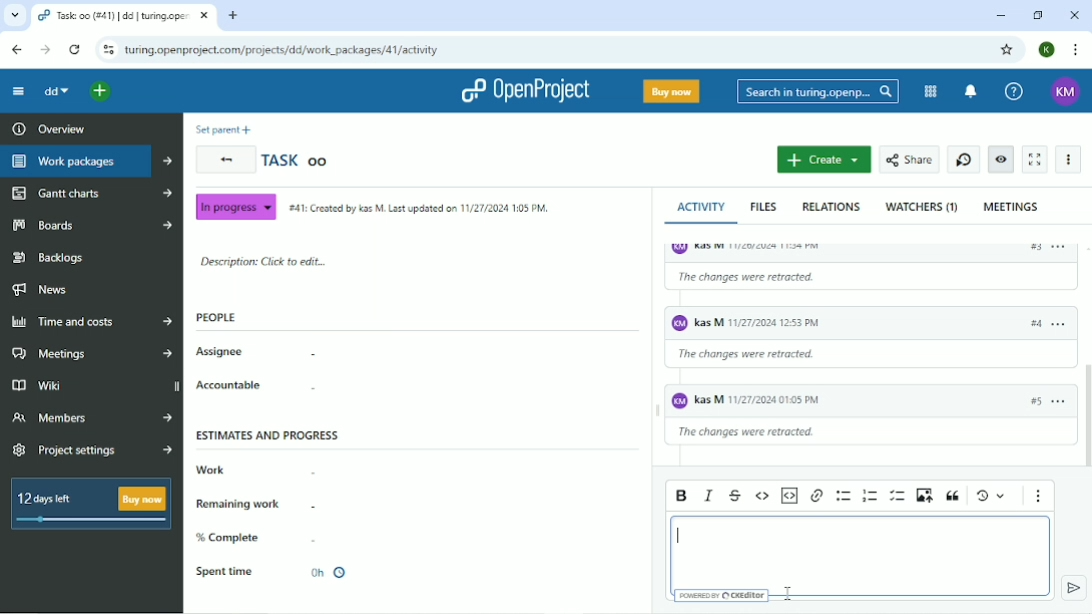 The height and width of the screenshot is (614, 1092). I want to click on Back, so click(226, 160).